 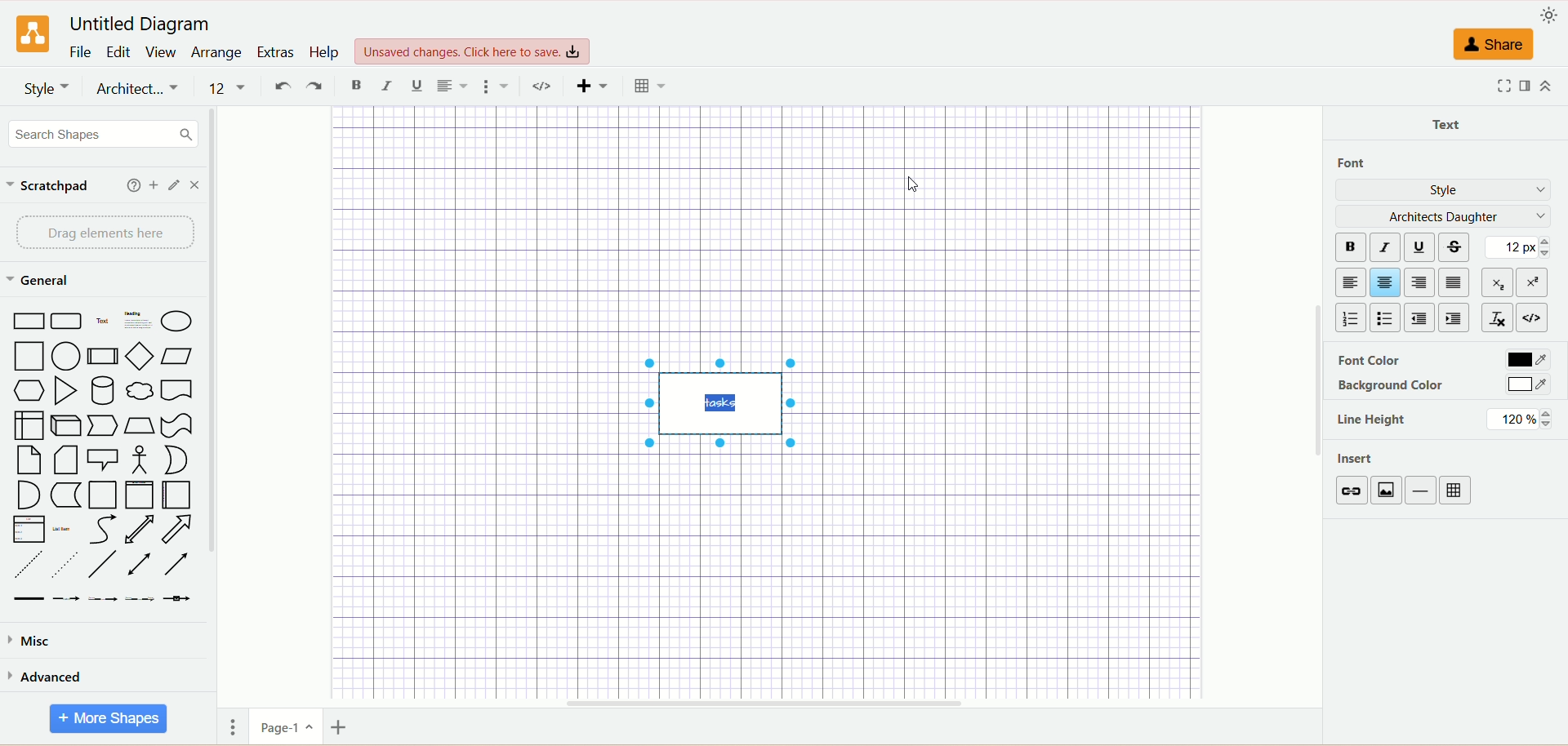 What do you see at coordinates (344, 730) in the screenshot?
I see `insert page` at bounding box center [344, 730].